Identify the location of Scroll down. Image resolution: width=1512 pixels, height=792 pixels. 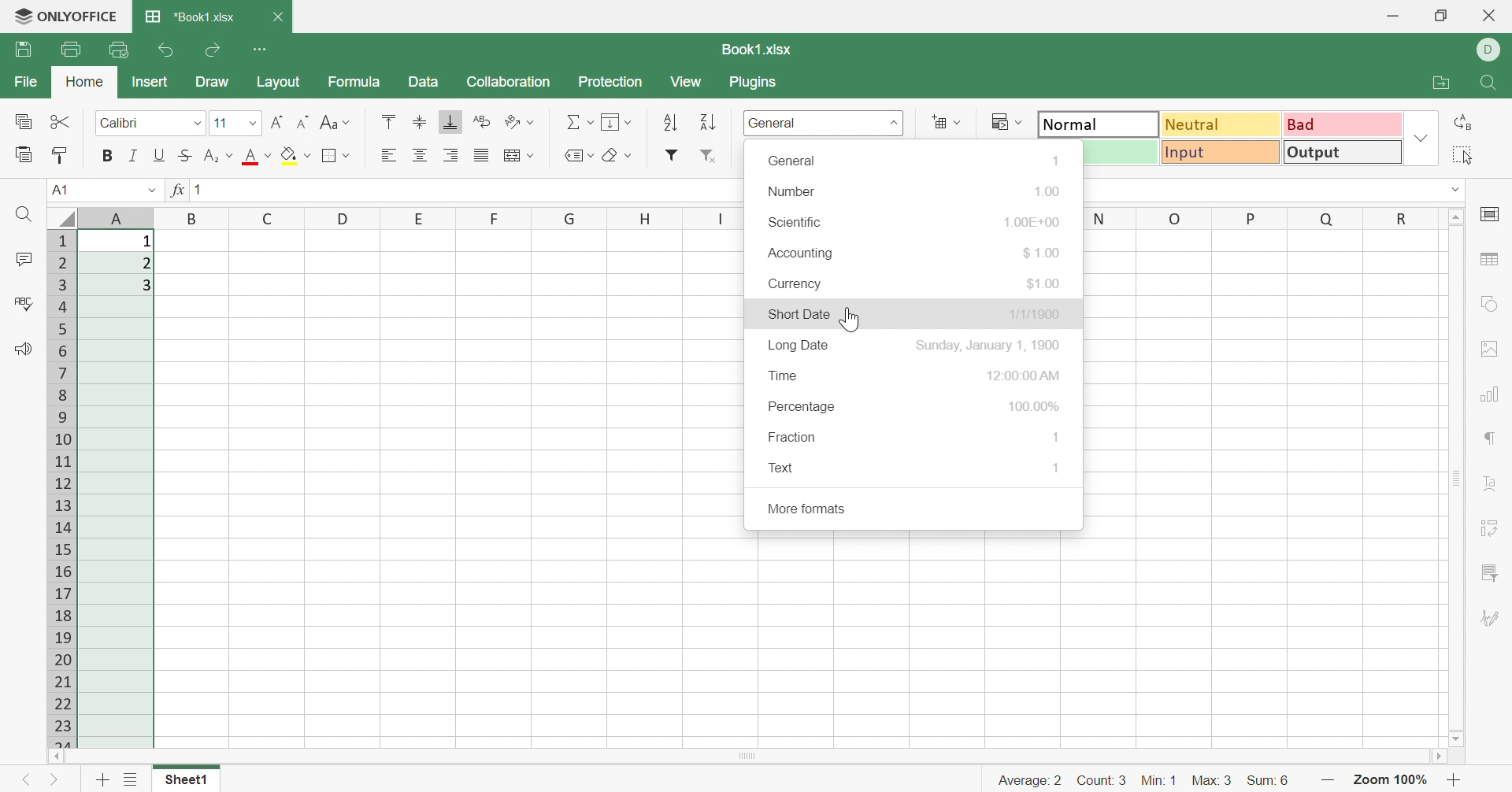
(1455, 739).